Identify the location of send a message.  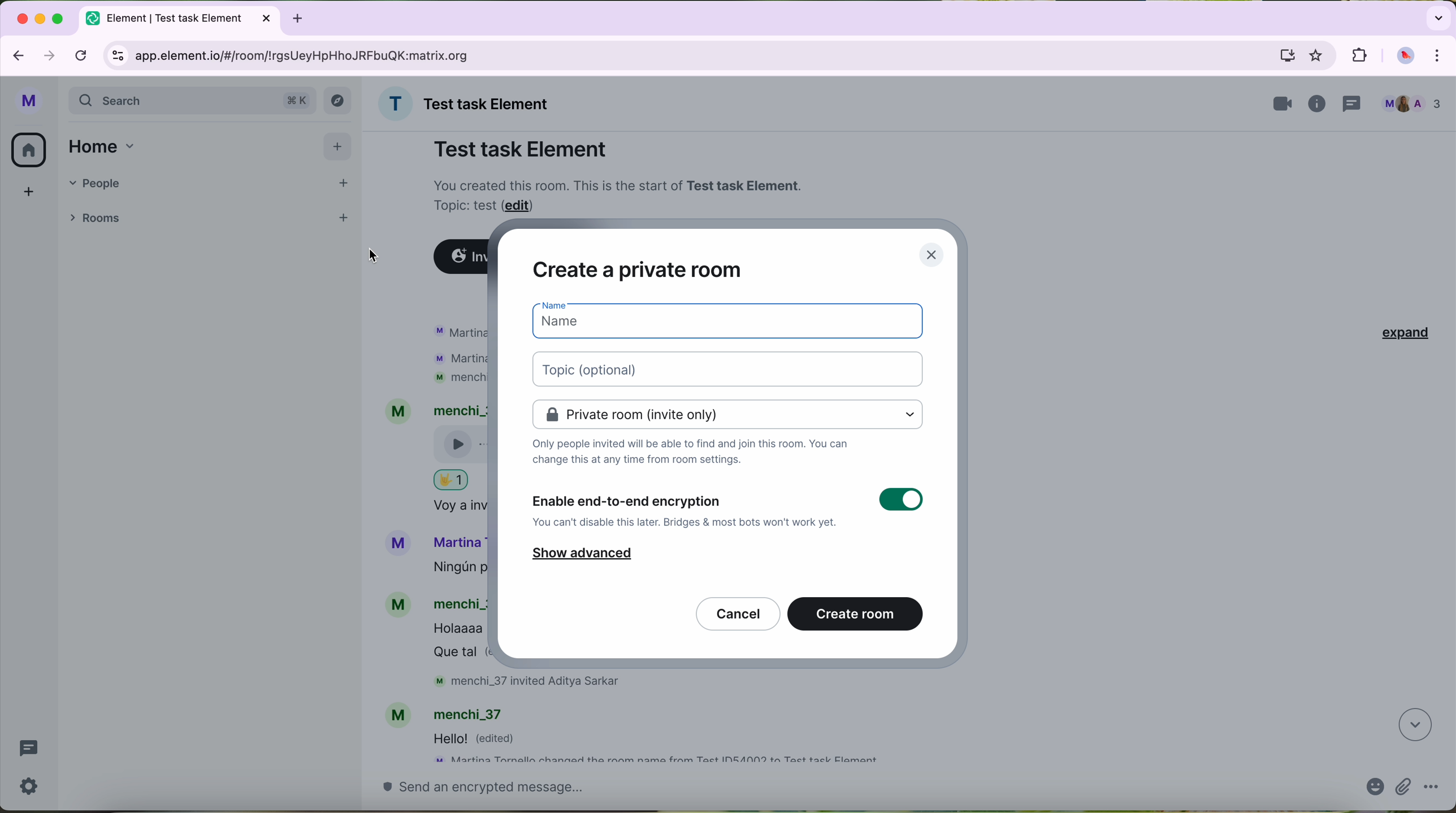
(852, 792).